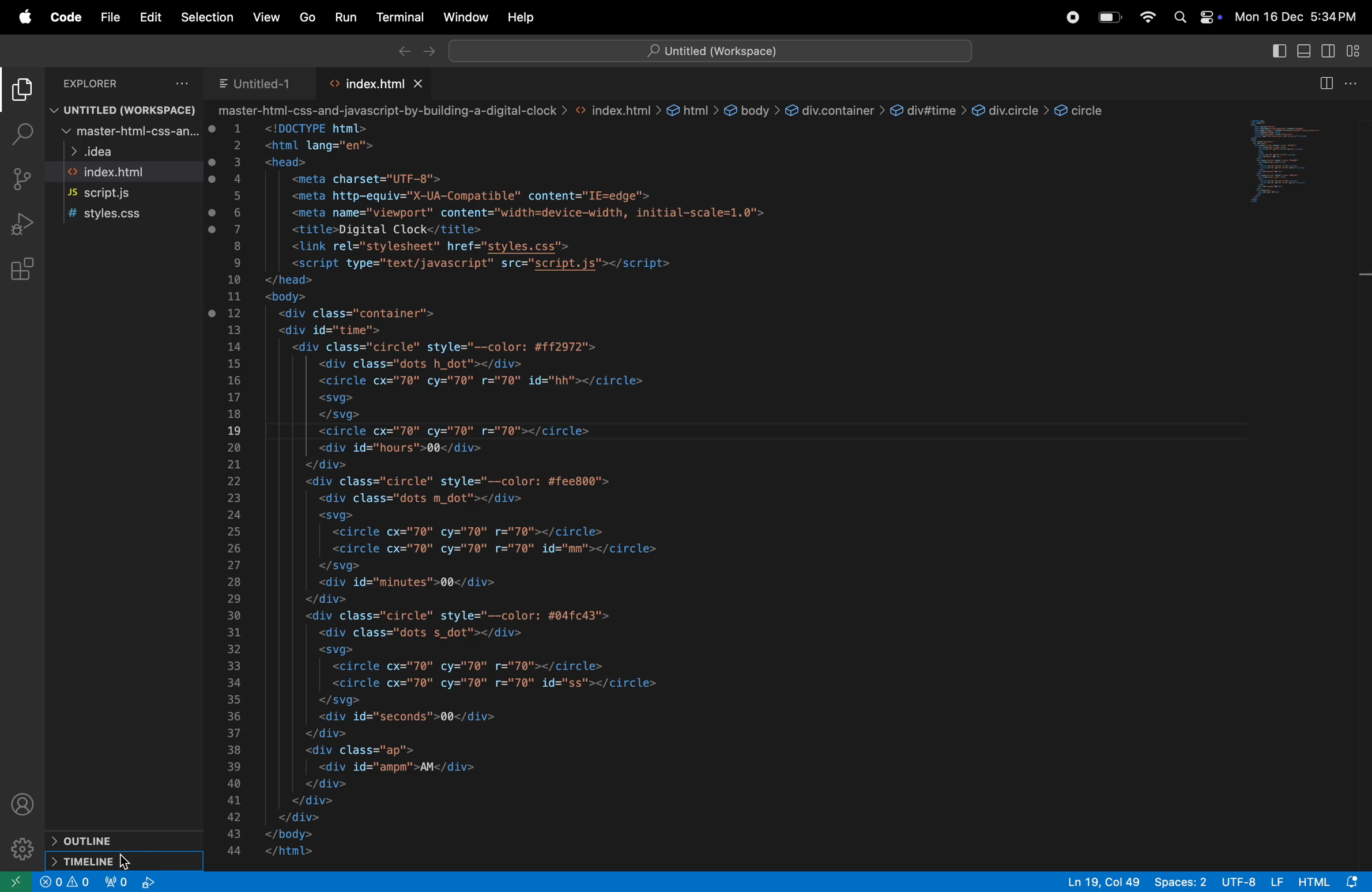 This screenshot has height=892, width=1372. Describe the element at coordinates (1197, 18) in the screenshot. I see `apple widgets` at that location.